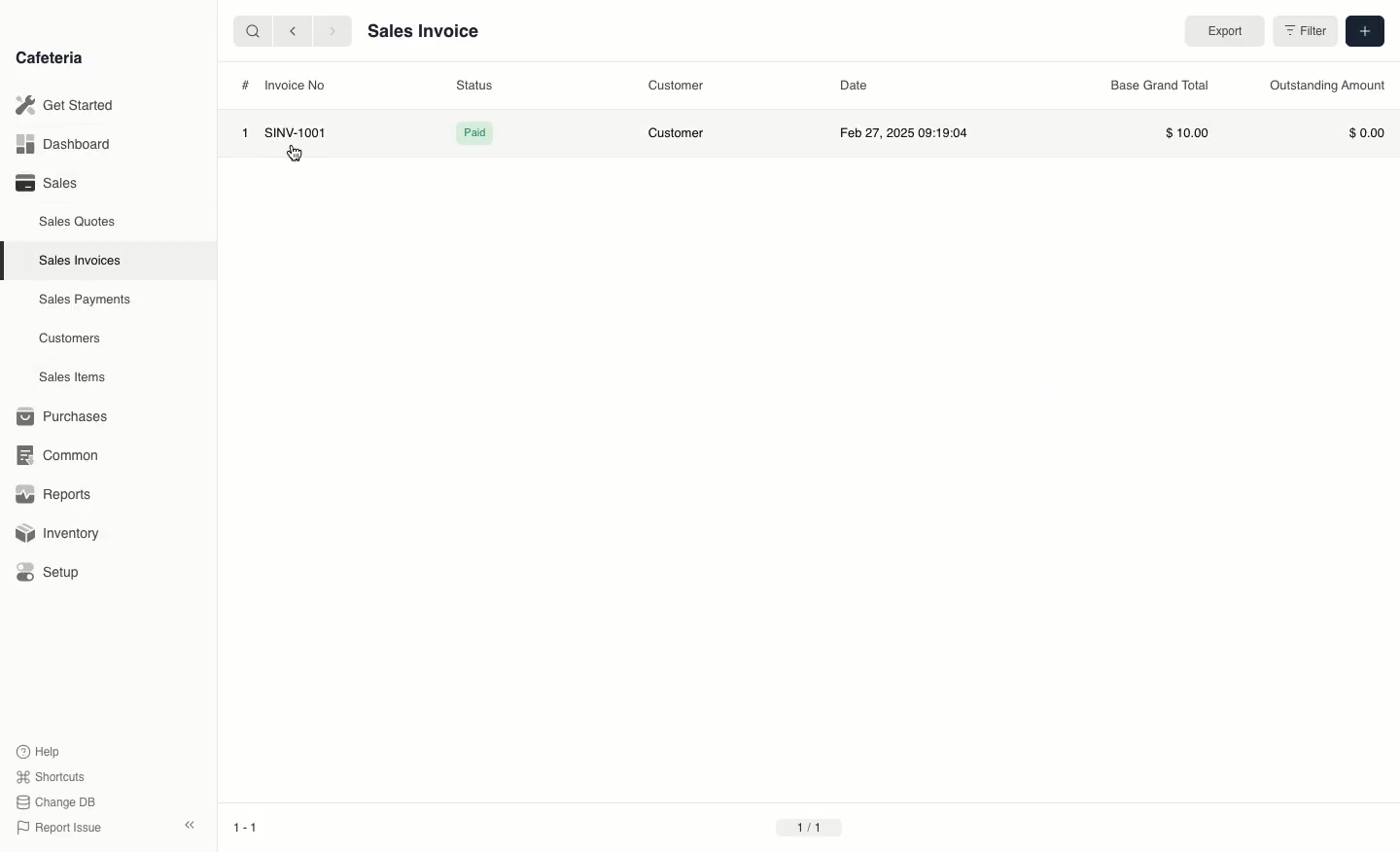 This screenshot has height=852, width=1400. What do you see at coordinates (52, 775) in the screenshot?
I see `Shortcuts` at bounding box center [52, 775].